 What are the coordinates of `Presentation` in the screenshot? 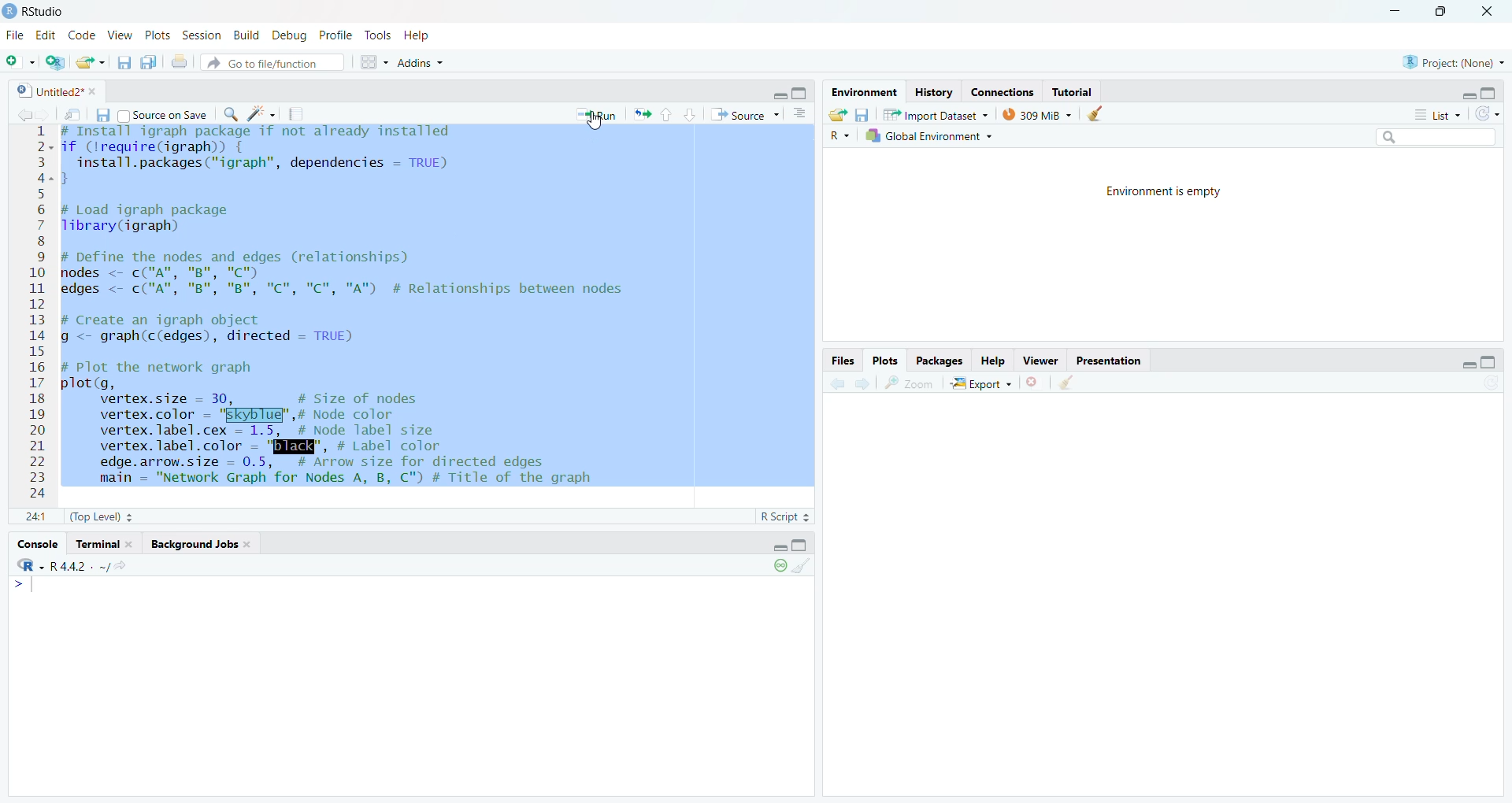 It's located at (1114, 361).